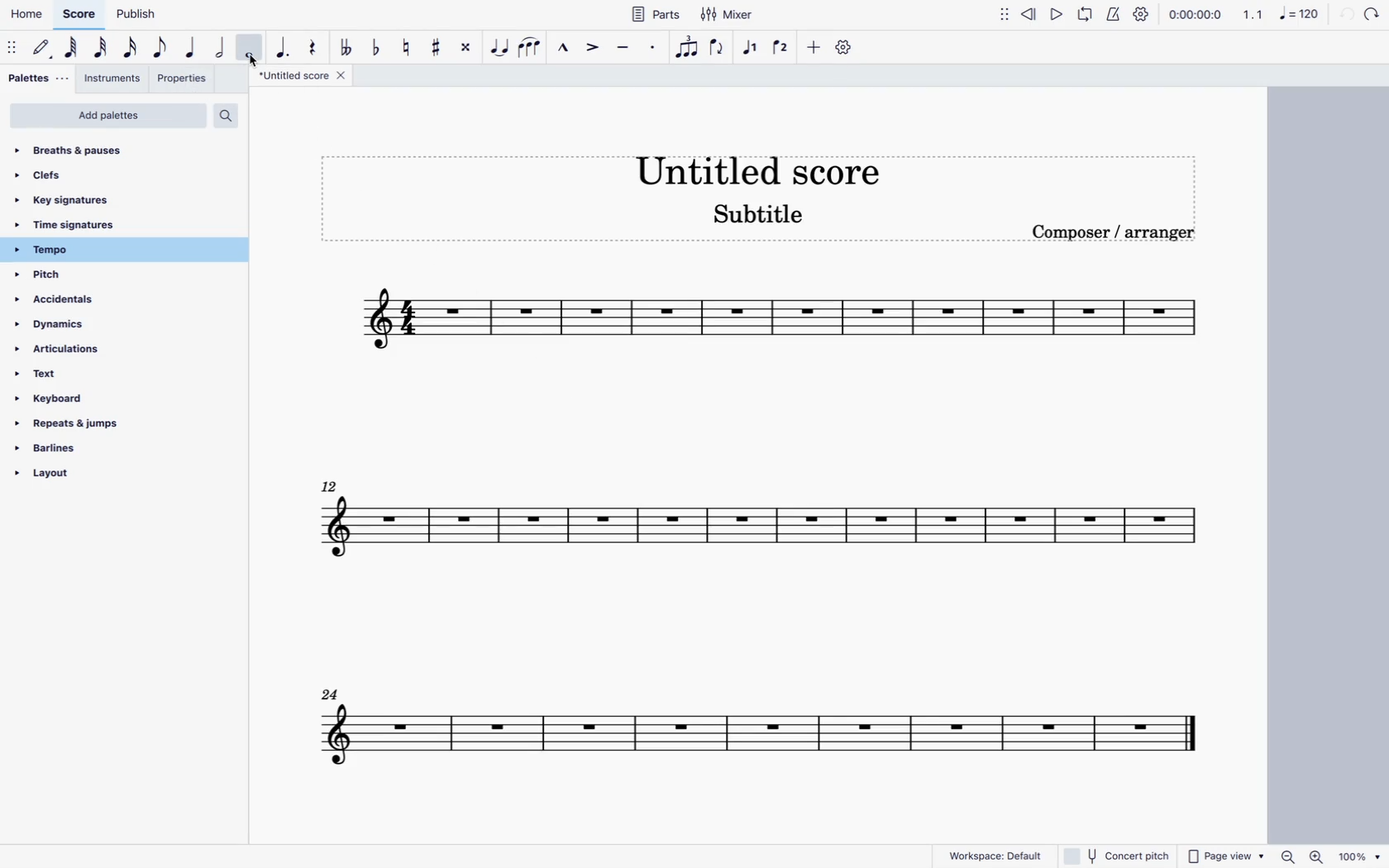  Describe the element at coordinates (769, 215) in the screenshot. I see `score subtitle` at that location.